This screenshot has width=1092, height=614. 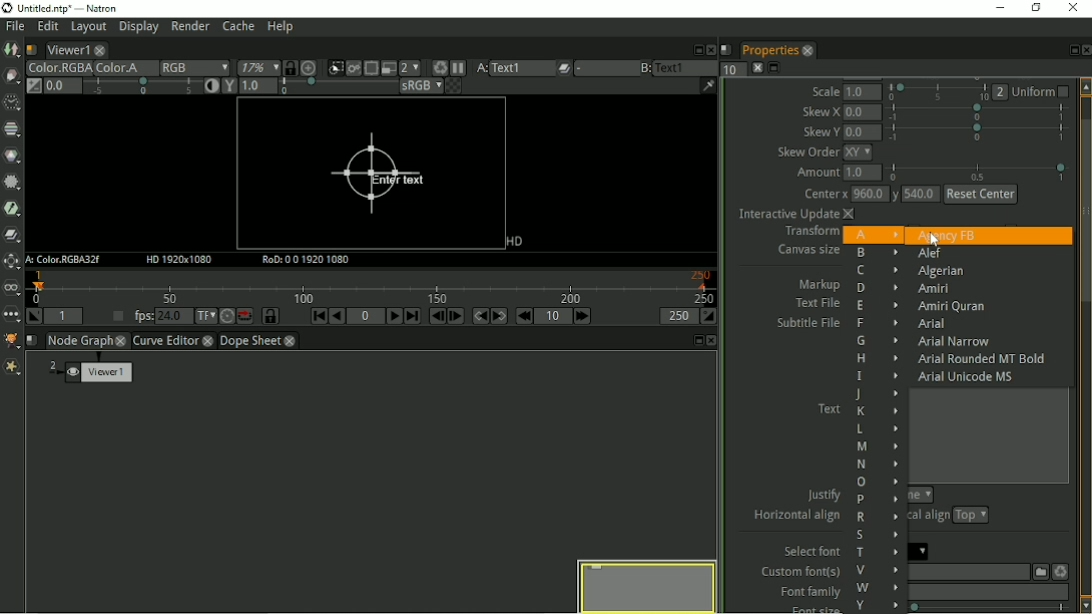 I want to click on Viewer gamma correction, so click(x=228, y=87).